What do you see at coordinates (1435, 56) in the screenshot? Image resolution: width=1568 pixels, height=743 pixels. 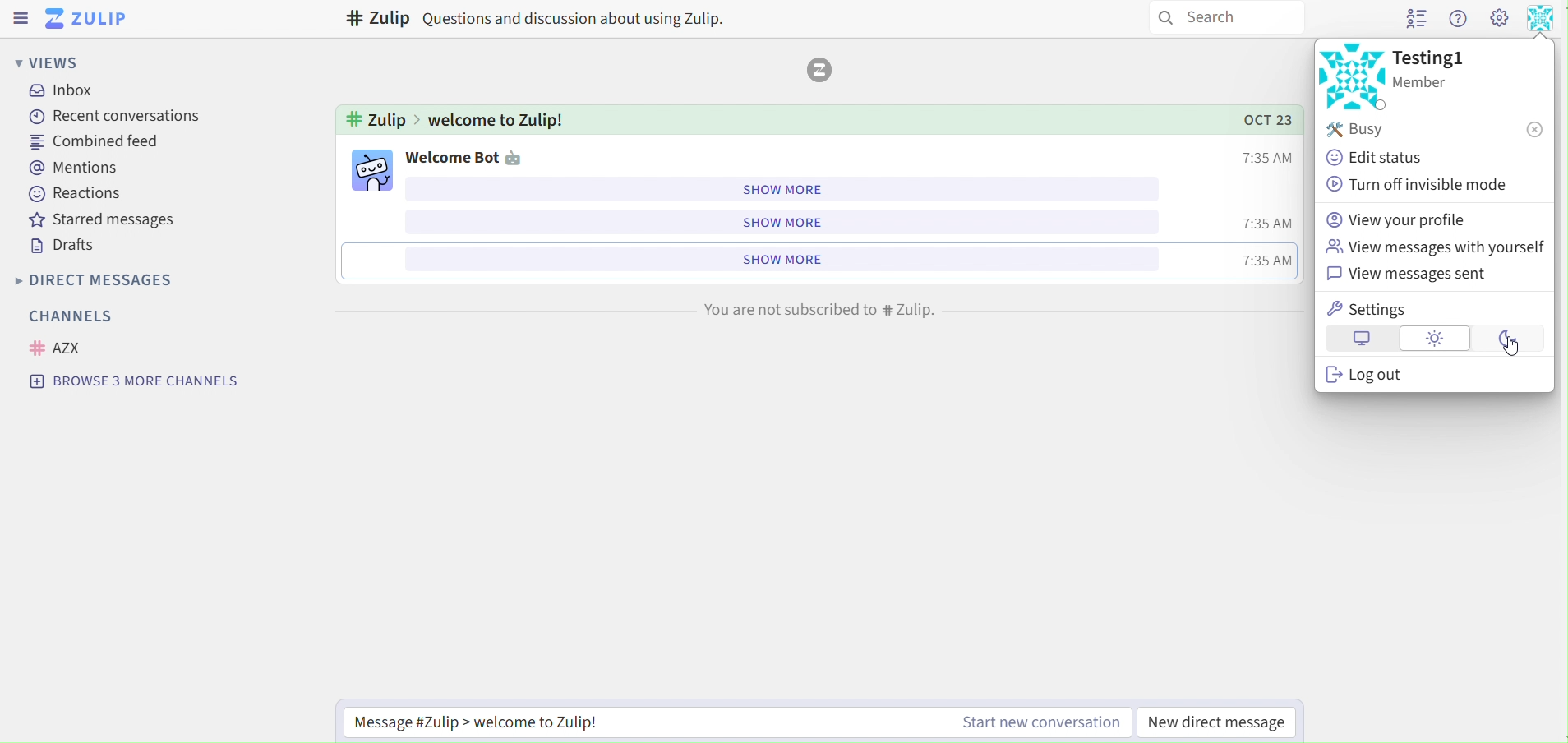 I see `Testing1` at bounding box center [1435, 56].